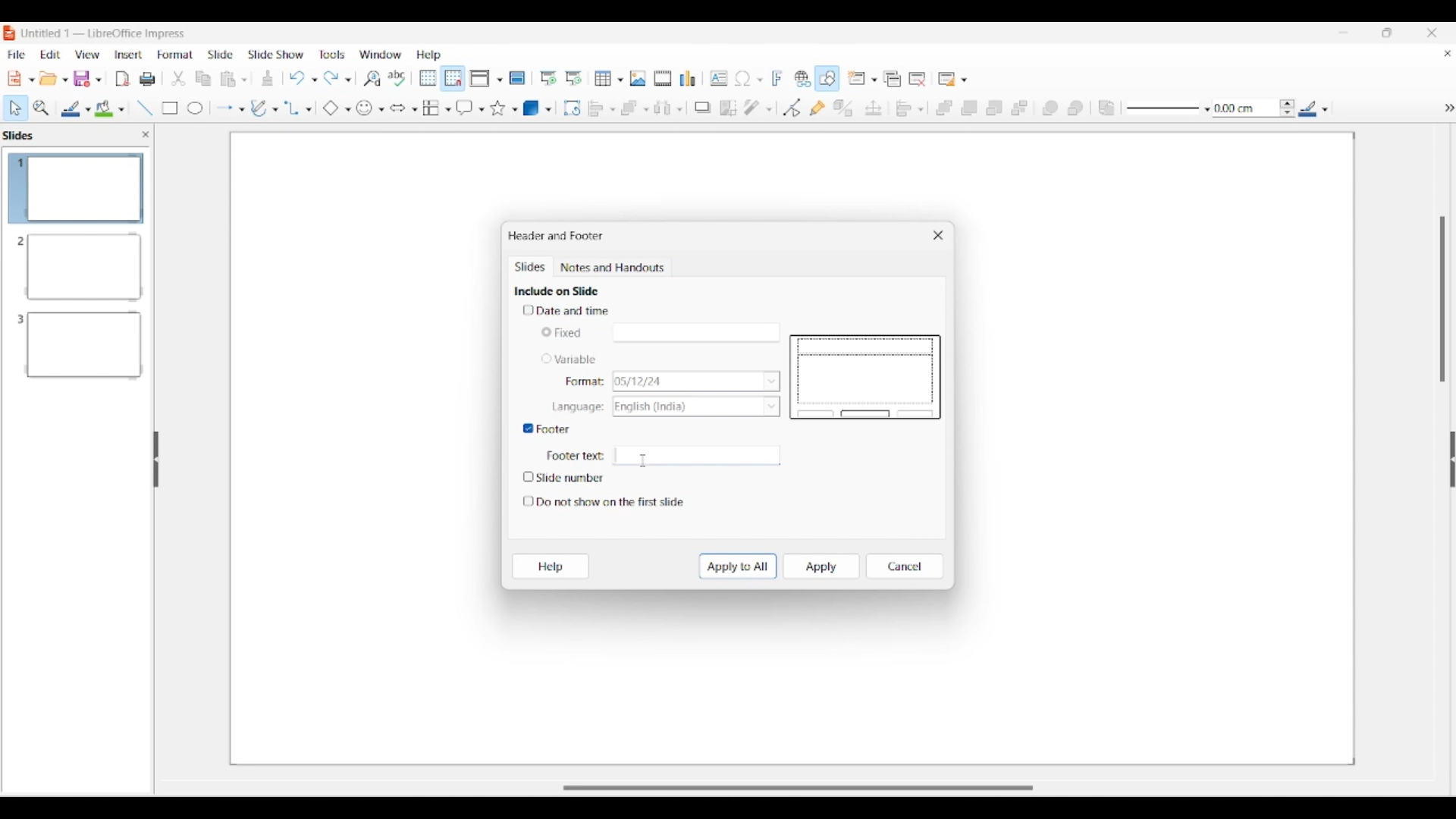 This screenshot has width=1456, height=819. I want to click on Delete slide, so click(918, 80).